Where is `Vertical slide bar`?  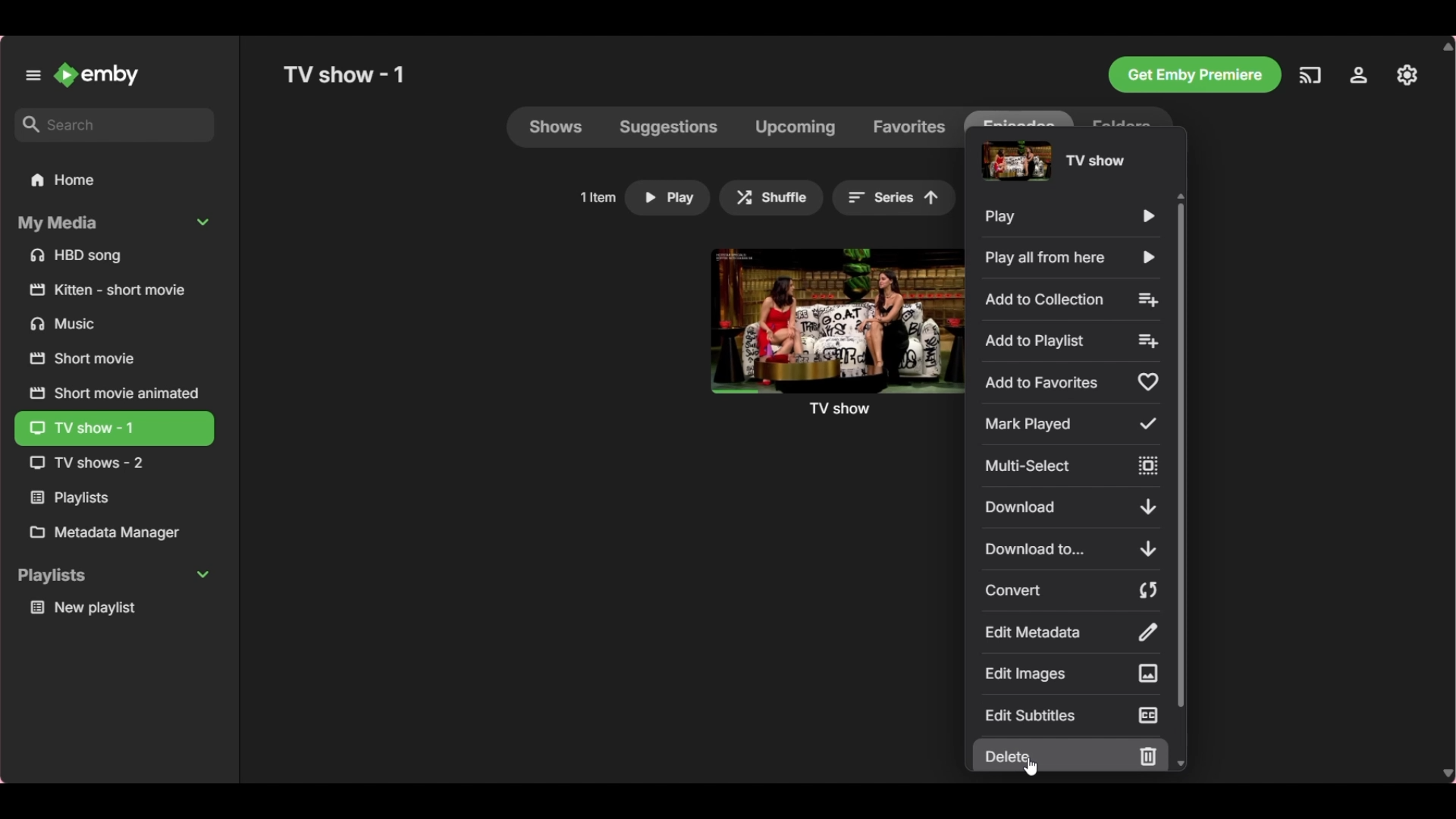 Vertical slide bar is located at coordinates (1181, 455).